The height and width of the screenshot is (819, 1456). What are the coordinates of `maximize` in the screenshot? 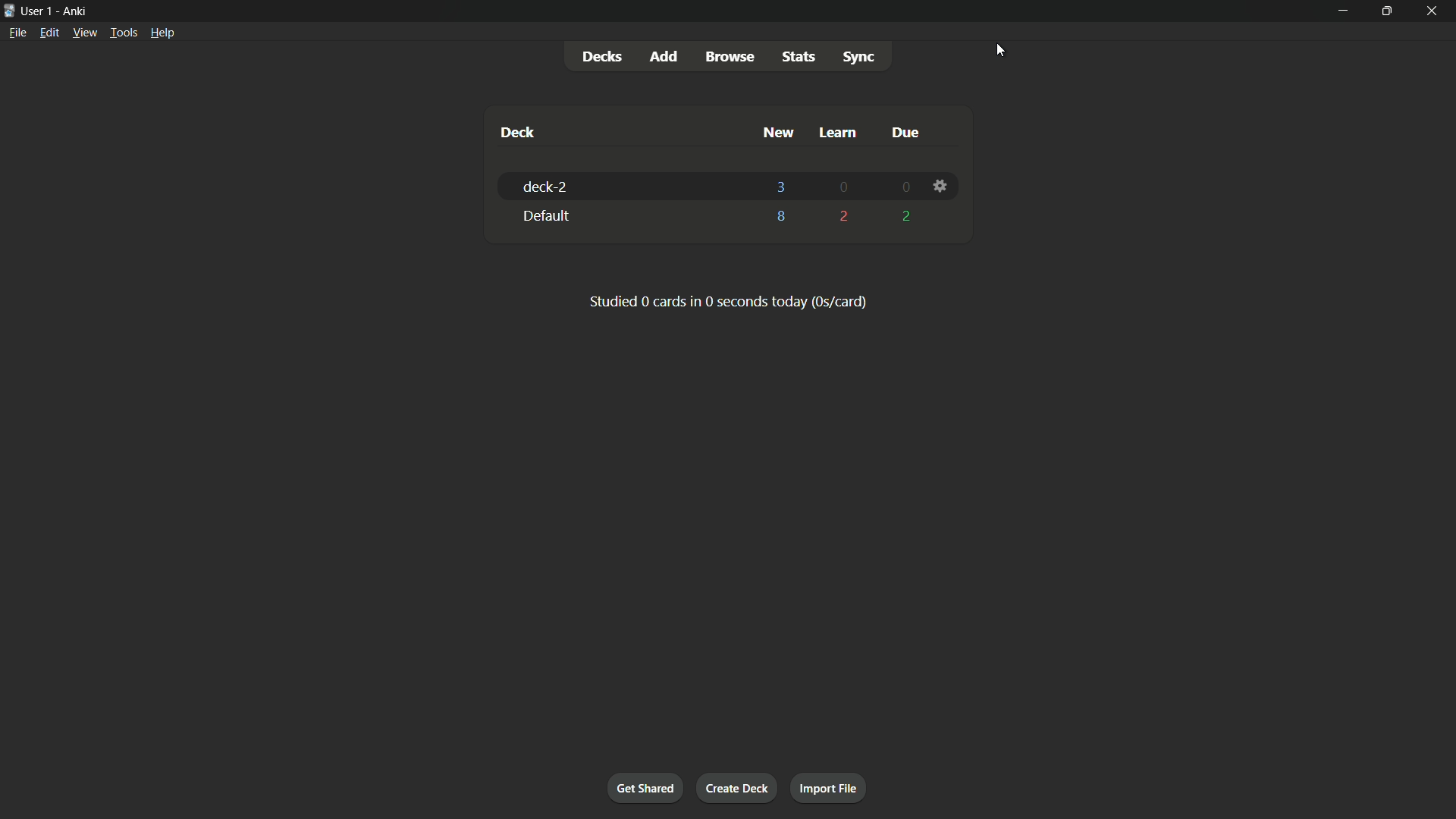 It's located at (1389, 9).